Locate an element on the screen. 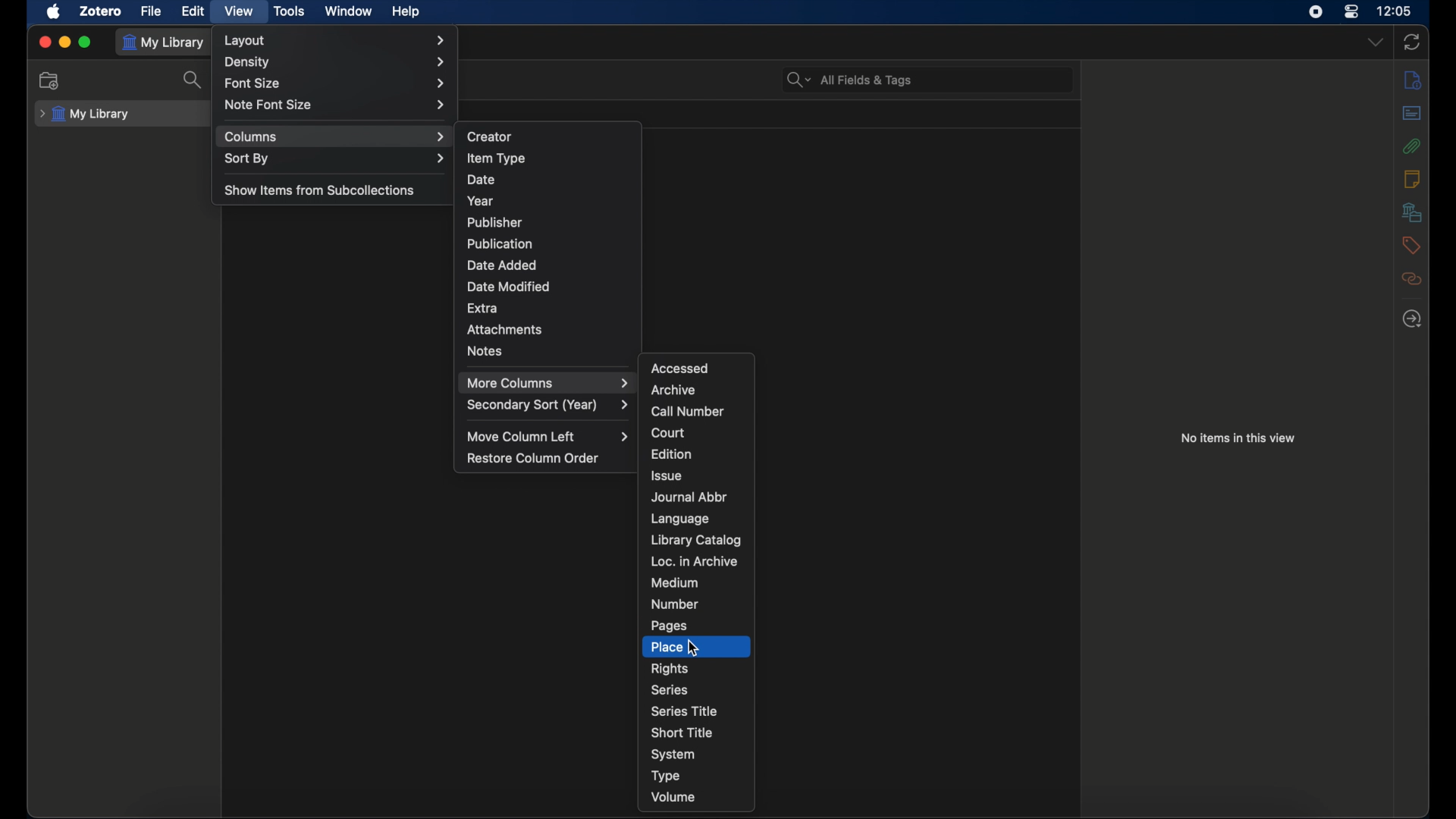 The width and height of the screenshot is (1456, 819). view is located at coordinates (240, 11).